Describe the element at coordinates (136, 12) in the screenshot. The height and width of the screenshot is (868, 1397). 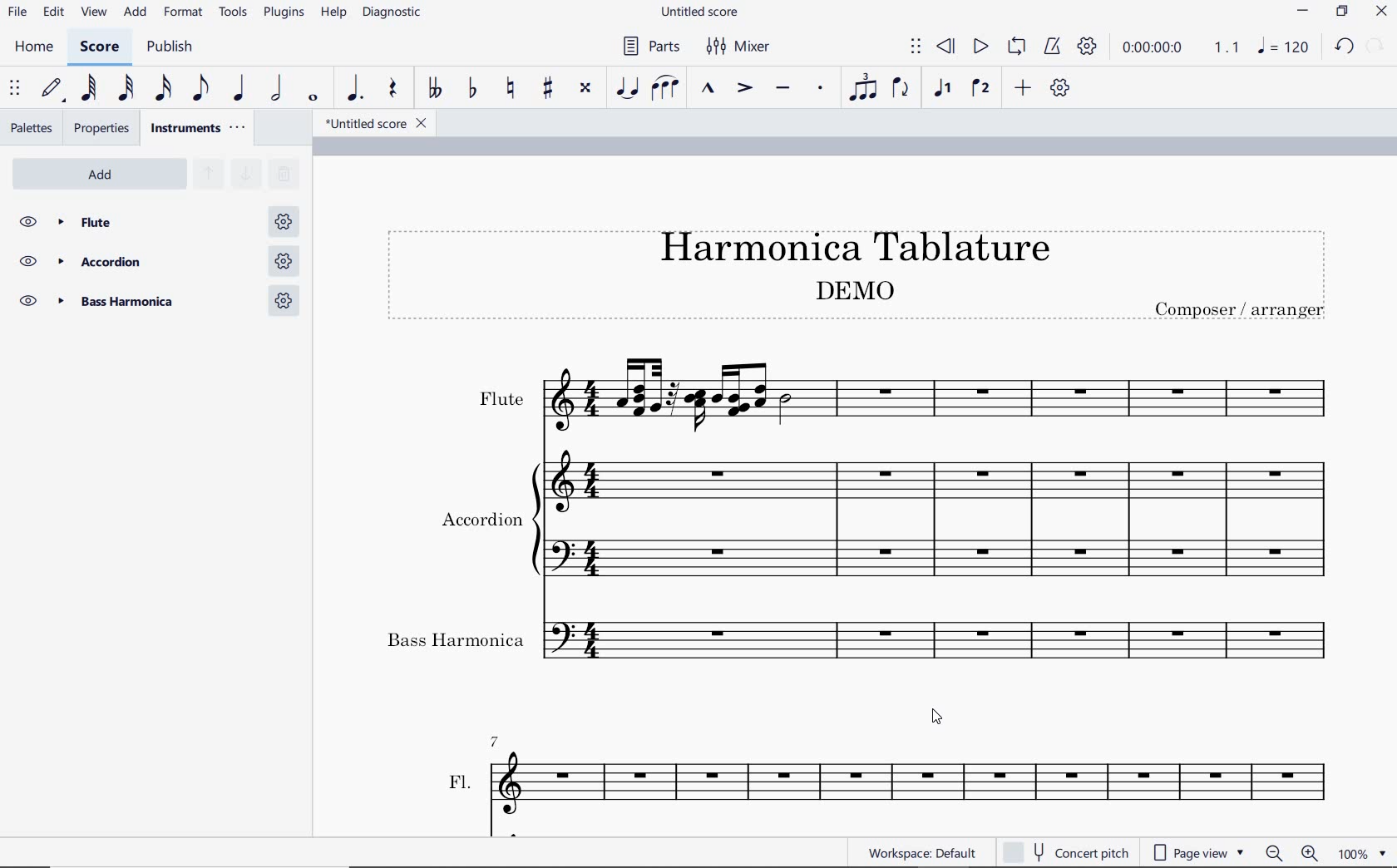
I see `ADD` at that location.